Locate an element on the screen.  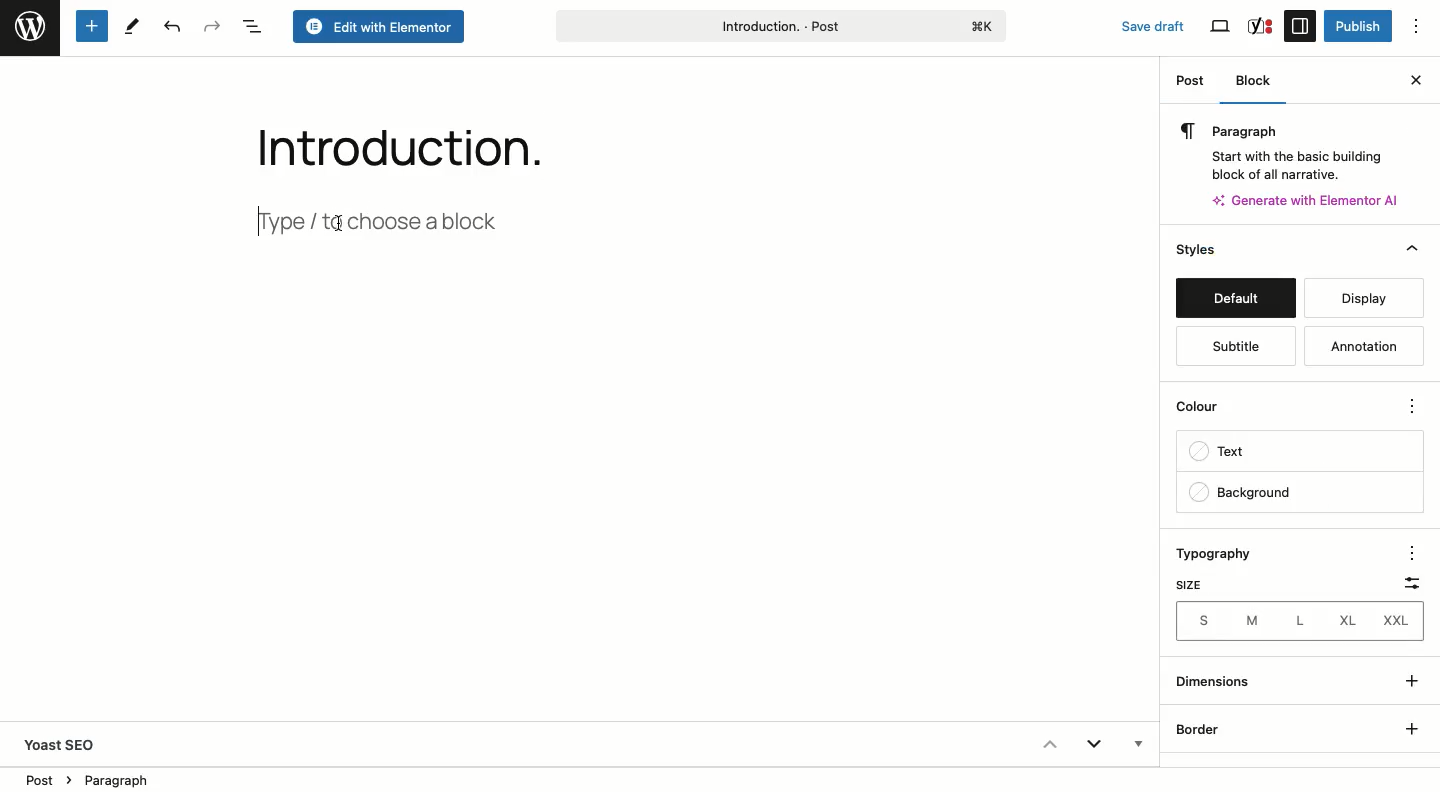
Sidebar is located at coordinates (1300, 25).